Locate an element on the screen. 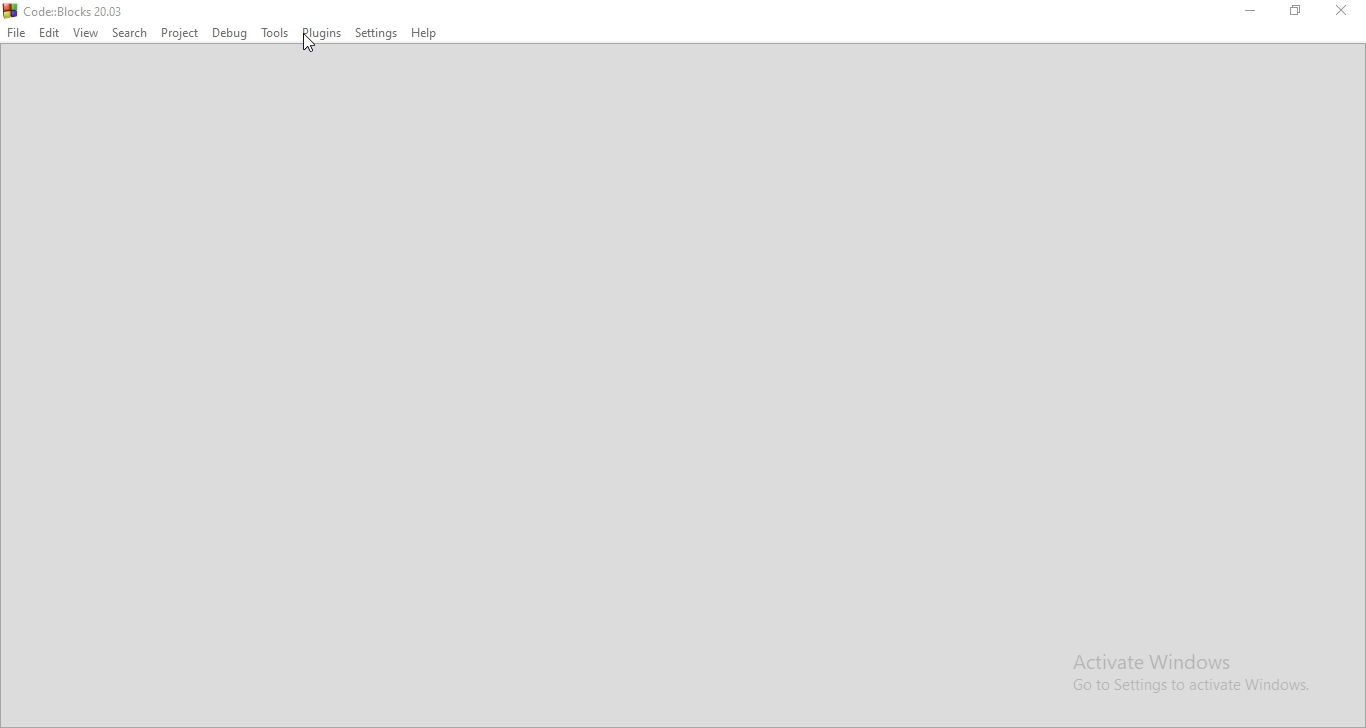  Project is located at coordinates (179, 33).